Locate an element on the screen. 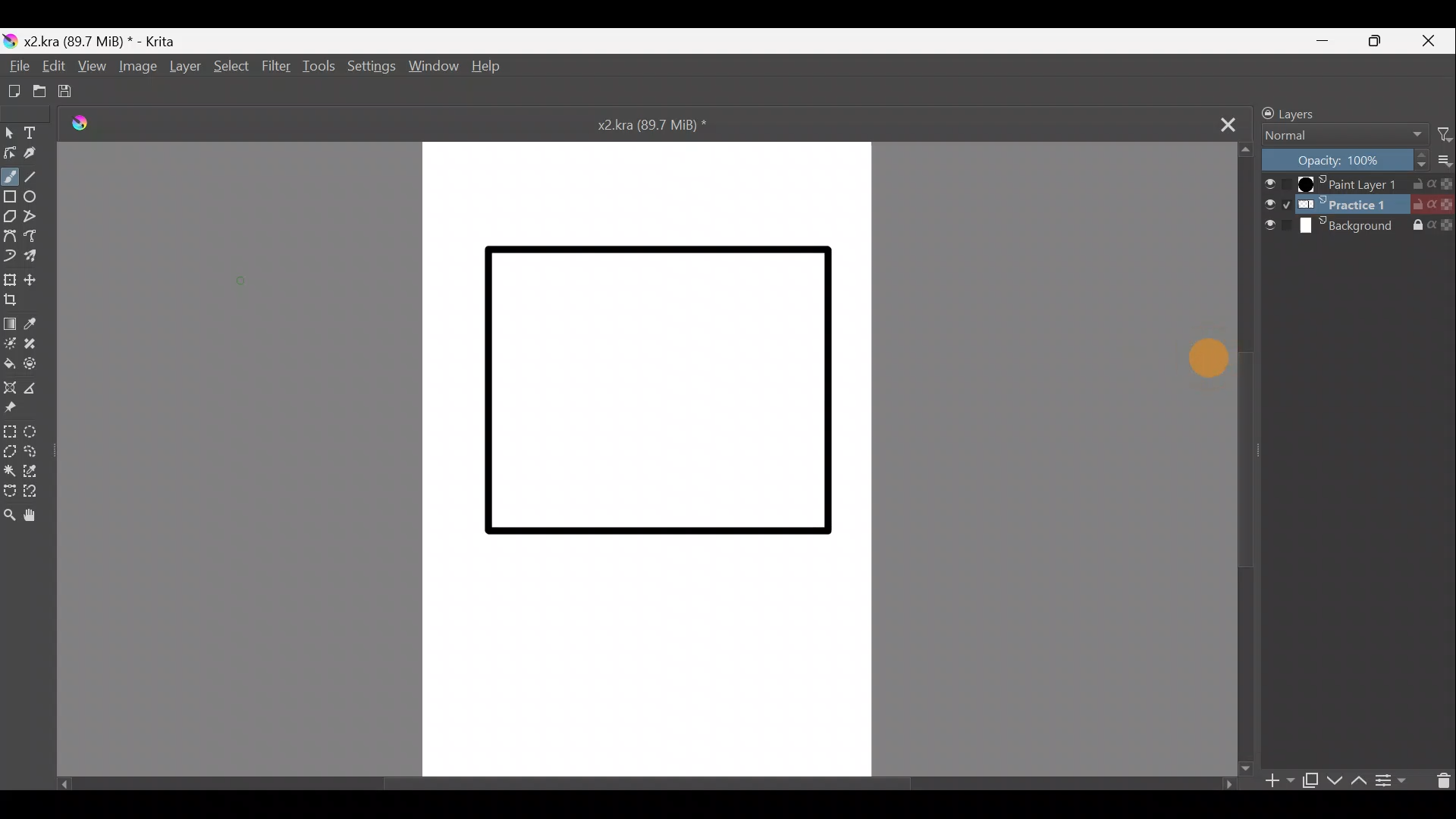 Image resolution: width=1456 pixels, height=819 pixels. Draw a gradient is located at coordinates (11, 323).